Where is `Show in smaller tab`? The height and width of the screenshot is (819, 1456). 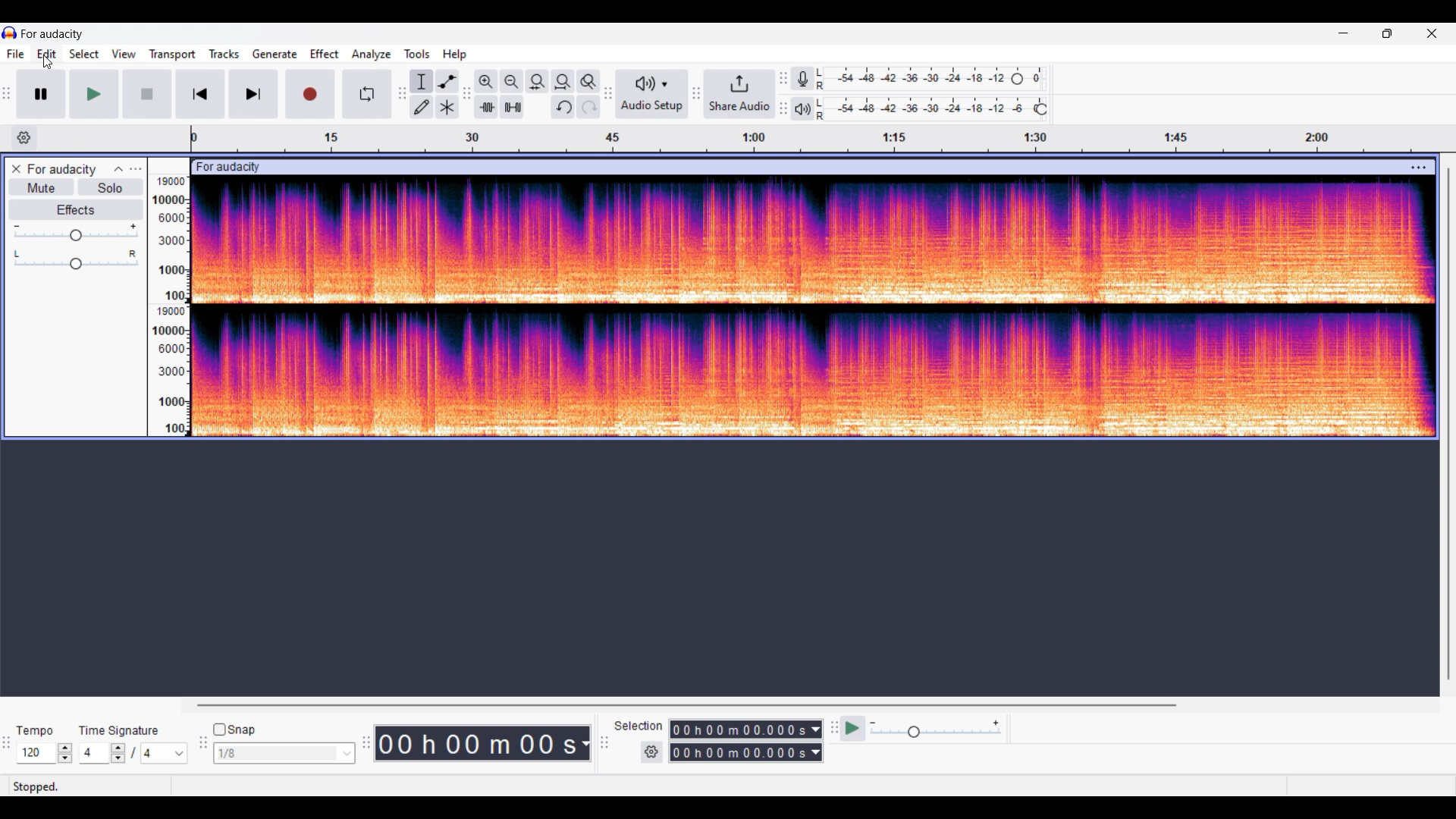 Show in smaller tab is located at coordinates (1387, 33).